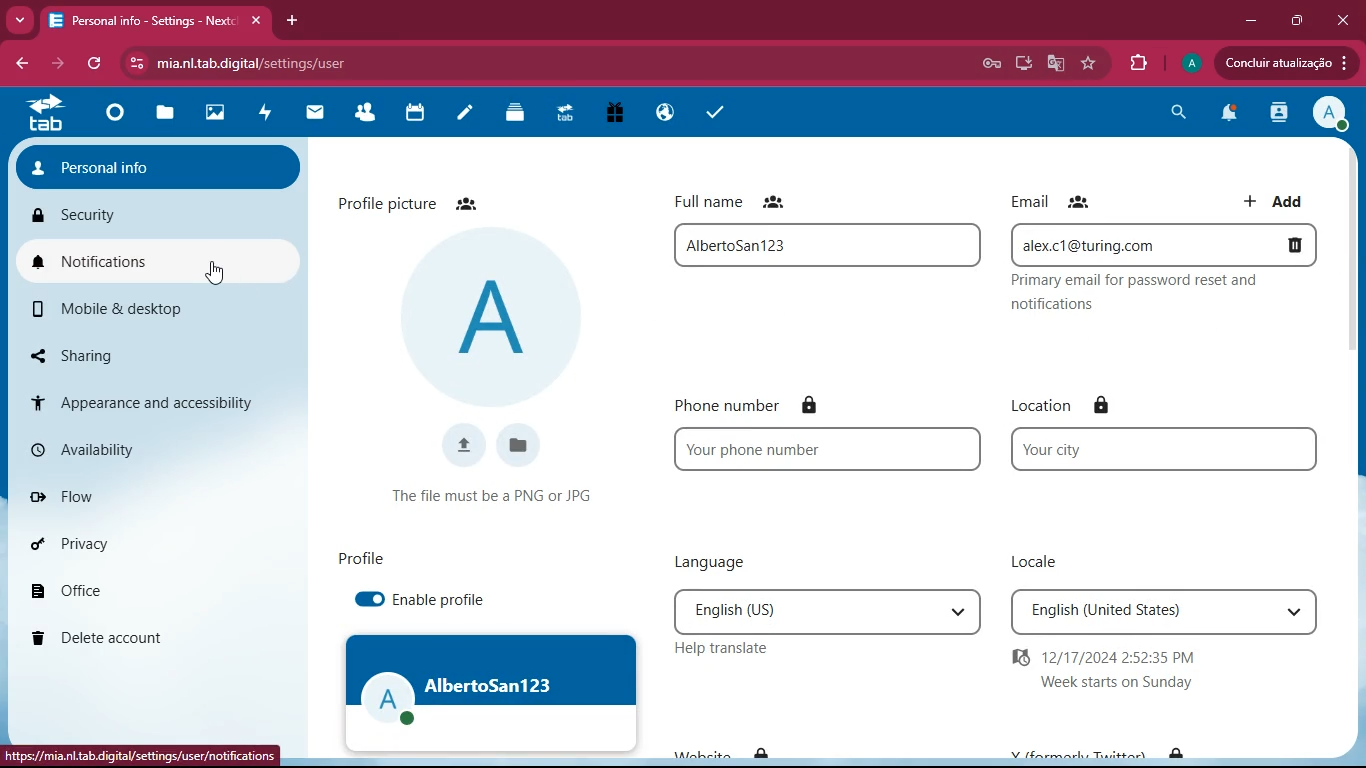 This screenshot has width=1366, height=768. I want to click on favourite, so click(1090, 65).